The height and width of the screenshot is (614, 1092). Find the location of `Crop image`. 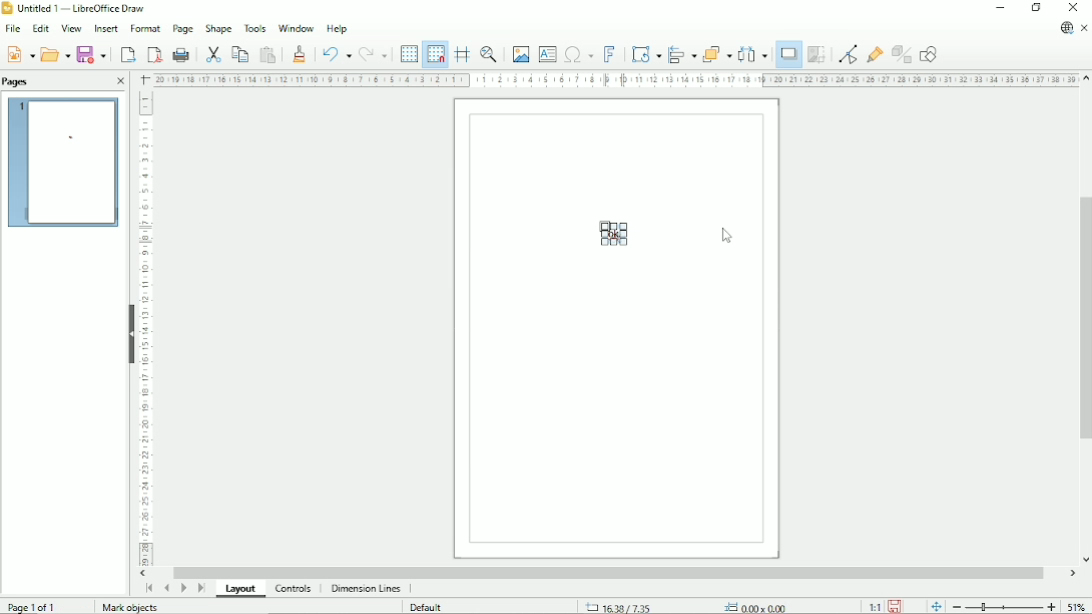

Crop image is located at coordinates (819, 54).